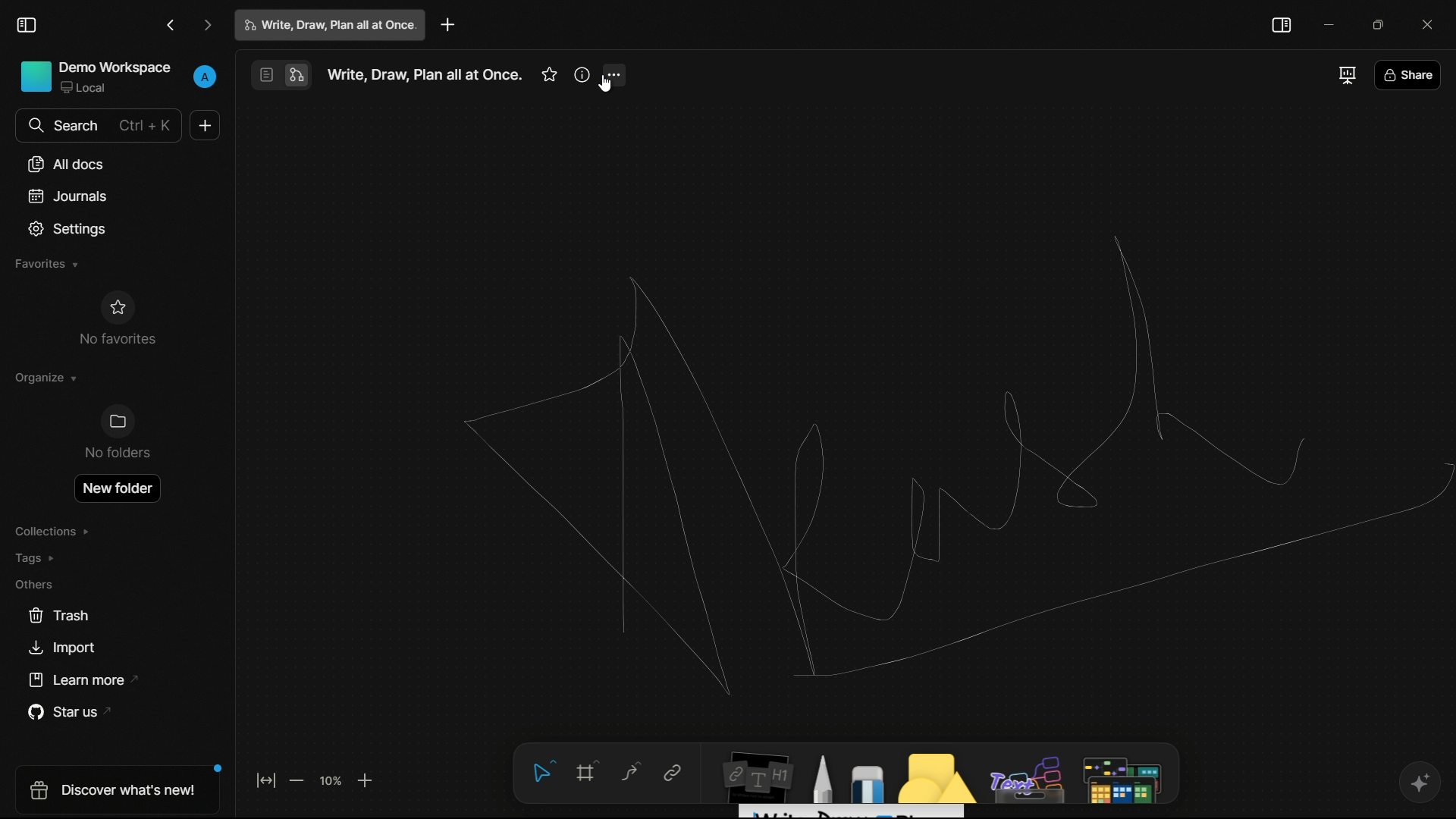  I want to click on discover what's new, so click(118, 787).